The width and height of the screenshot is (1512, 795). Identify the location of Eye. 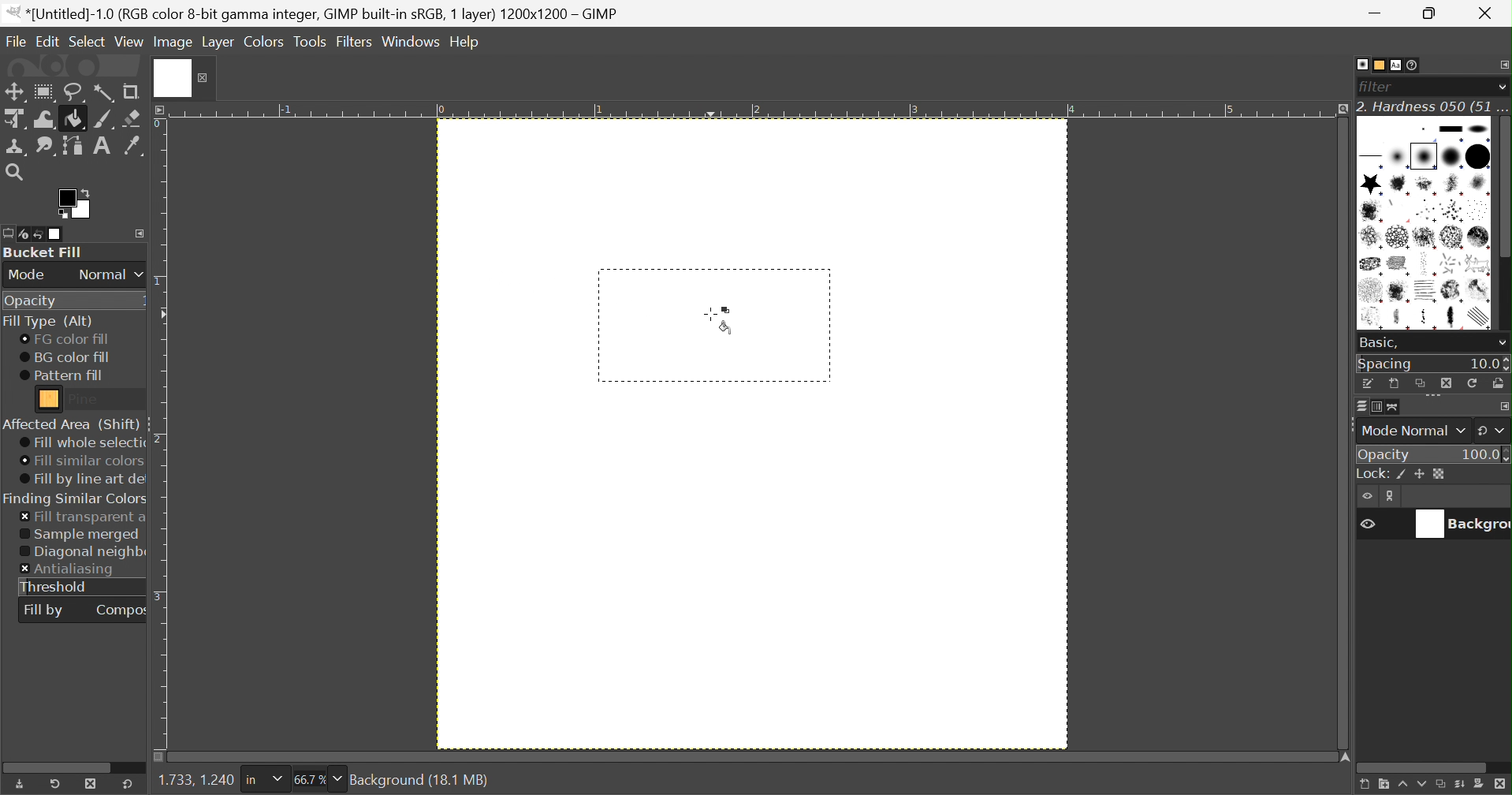
(1369, 496).